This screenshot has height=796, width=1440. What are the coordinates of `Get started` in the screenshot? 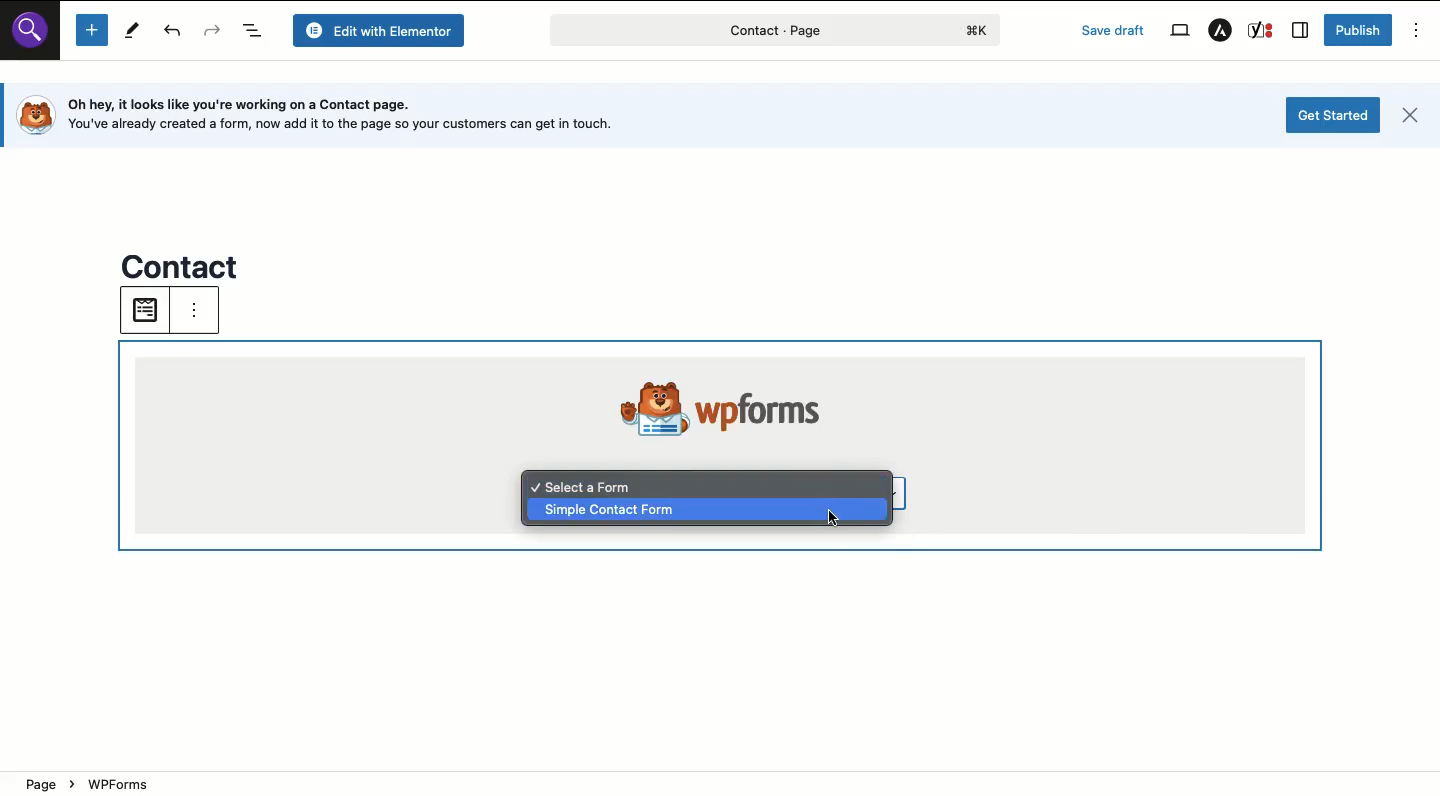 It's located at (1332, 115).